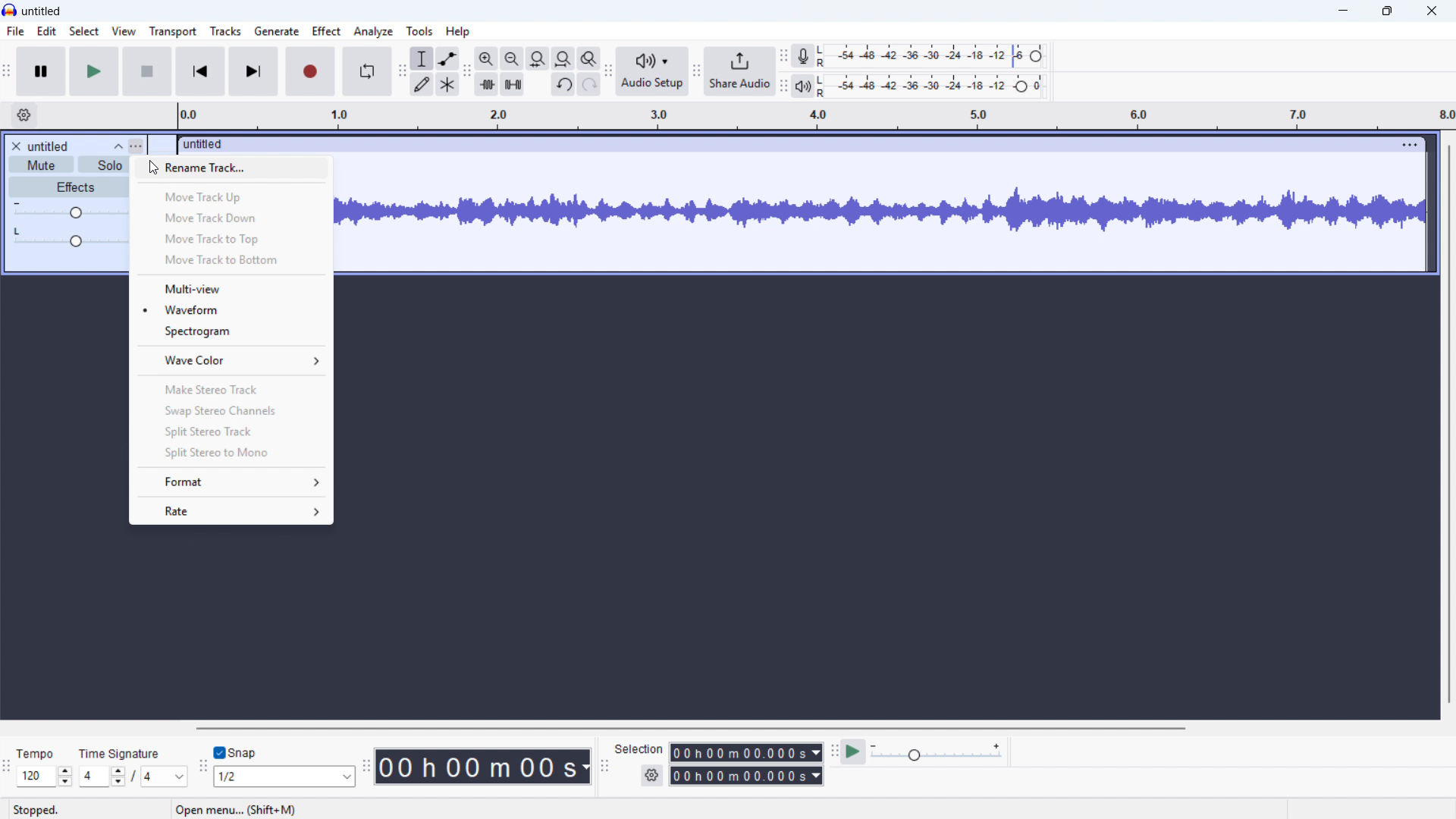 Image resolution: width=1456 pixels, height=819 pixels. Describe the element at coordinates (16, 33) in the screenshot. I see `file ` at that location.